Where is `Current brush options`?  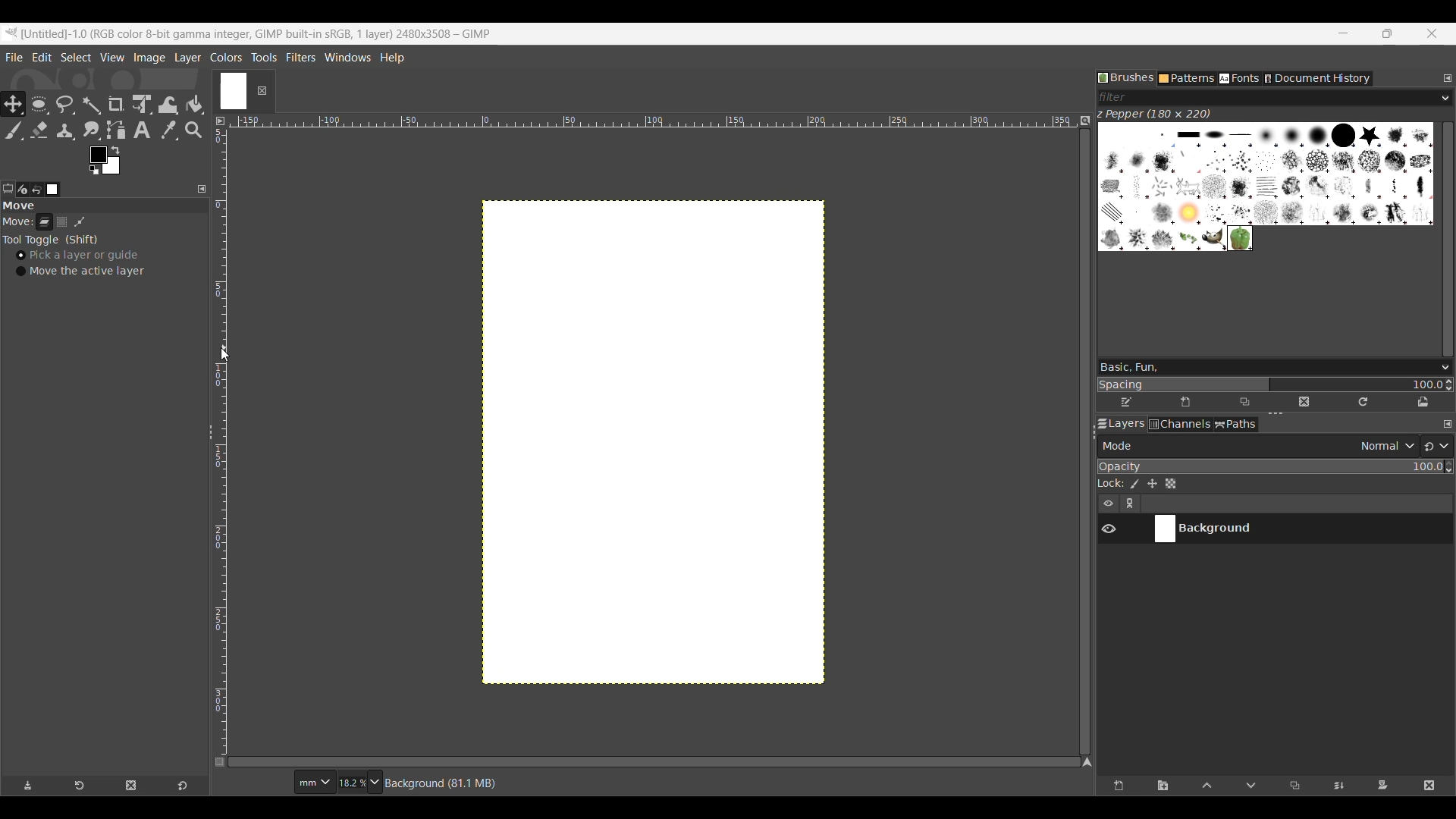
Current brush options is located at coordinates (1266, 187).